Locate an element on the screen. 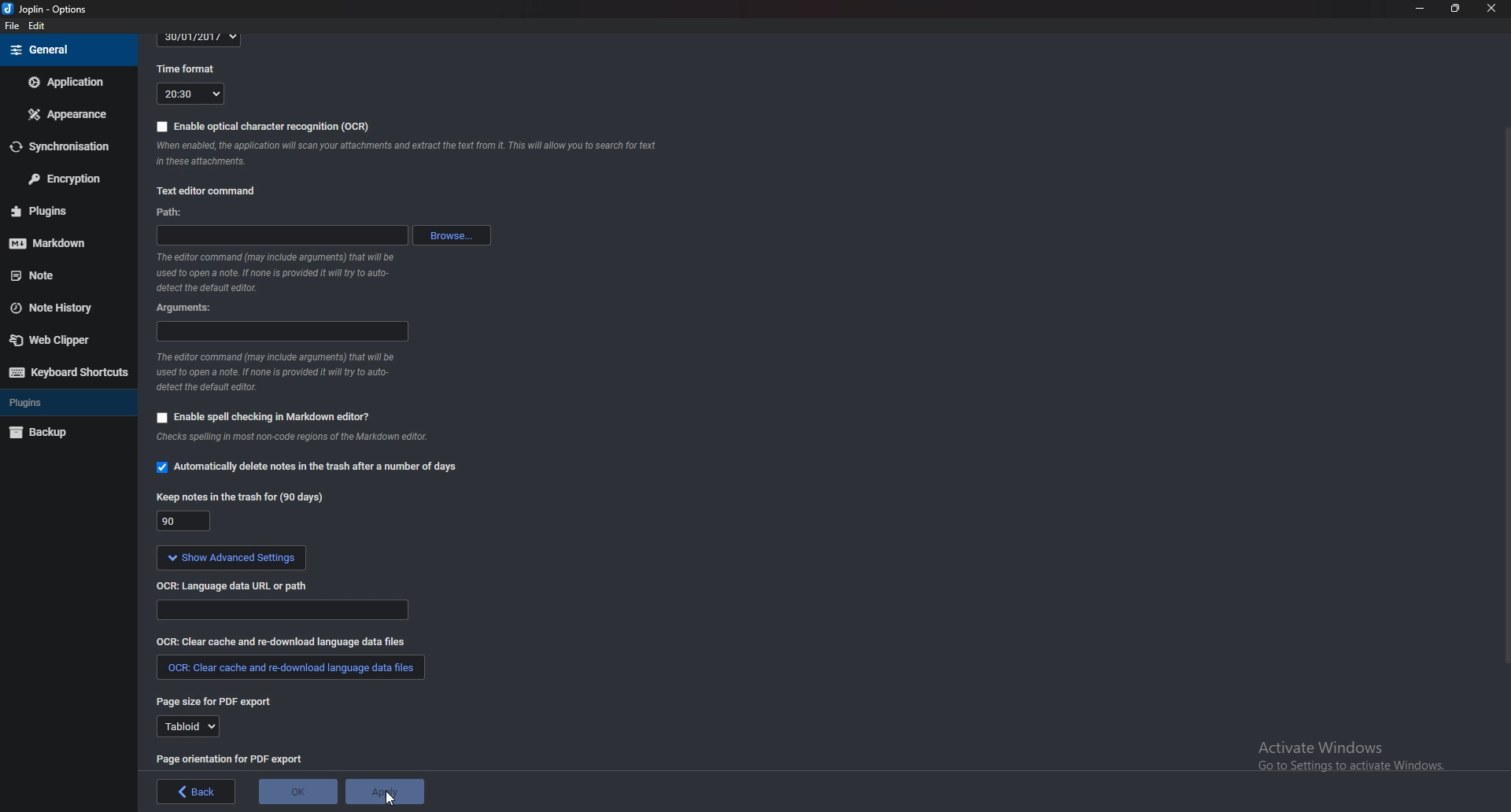  Arguments is located at coordinates (280, 330).